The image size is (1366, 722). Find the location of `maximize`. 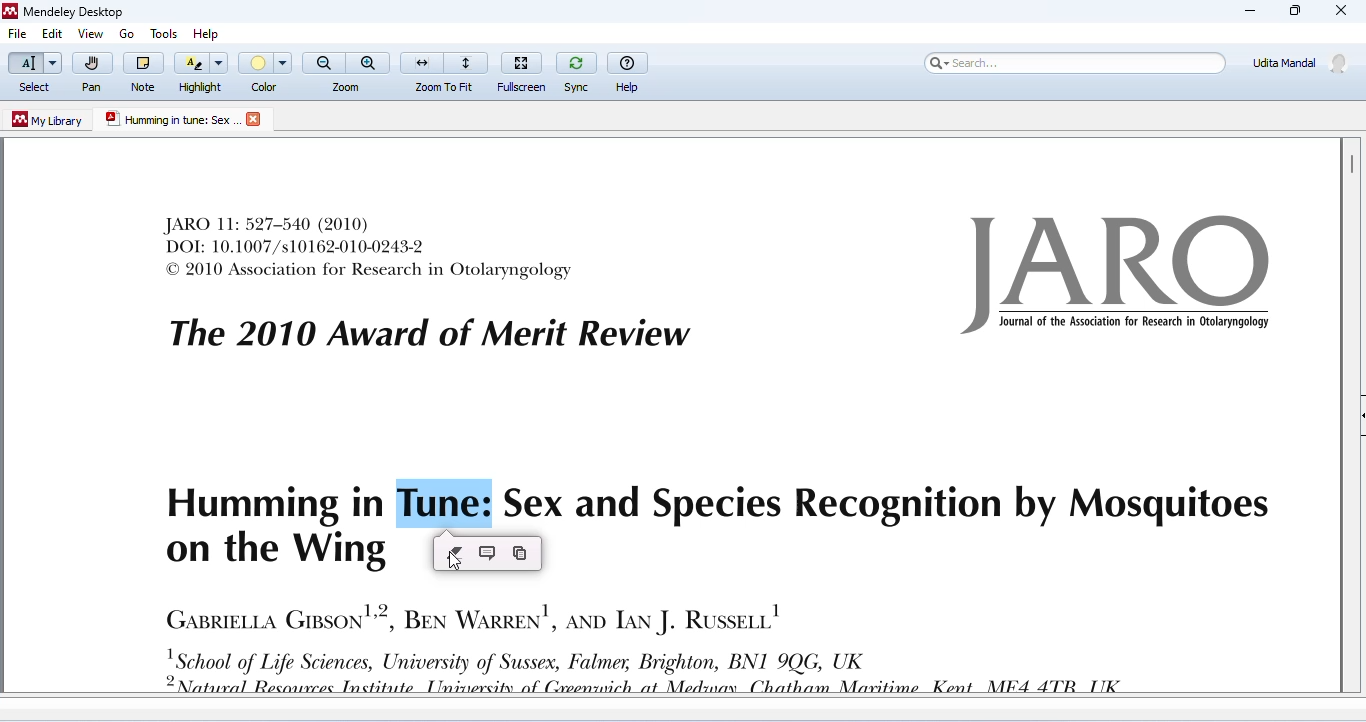

maximize is located at coordinates (1293, 11).